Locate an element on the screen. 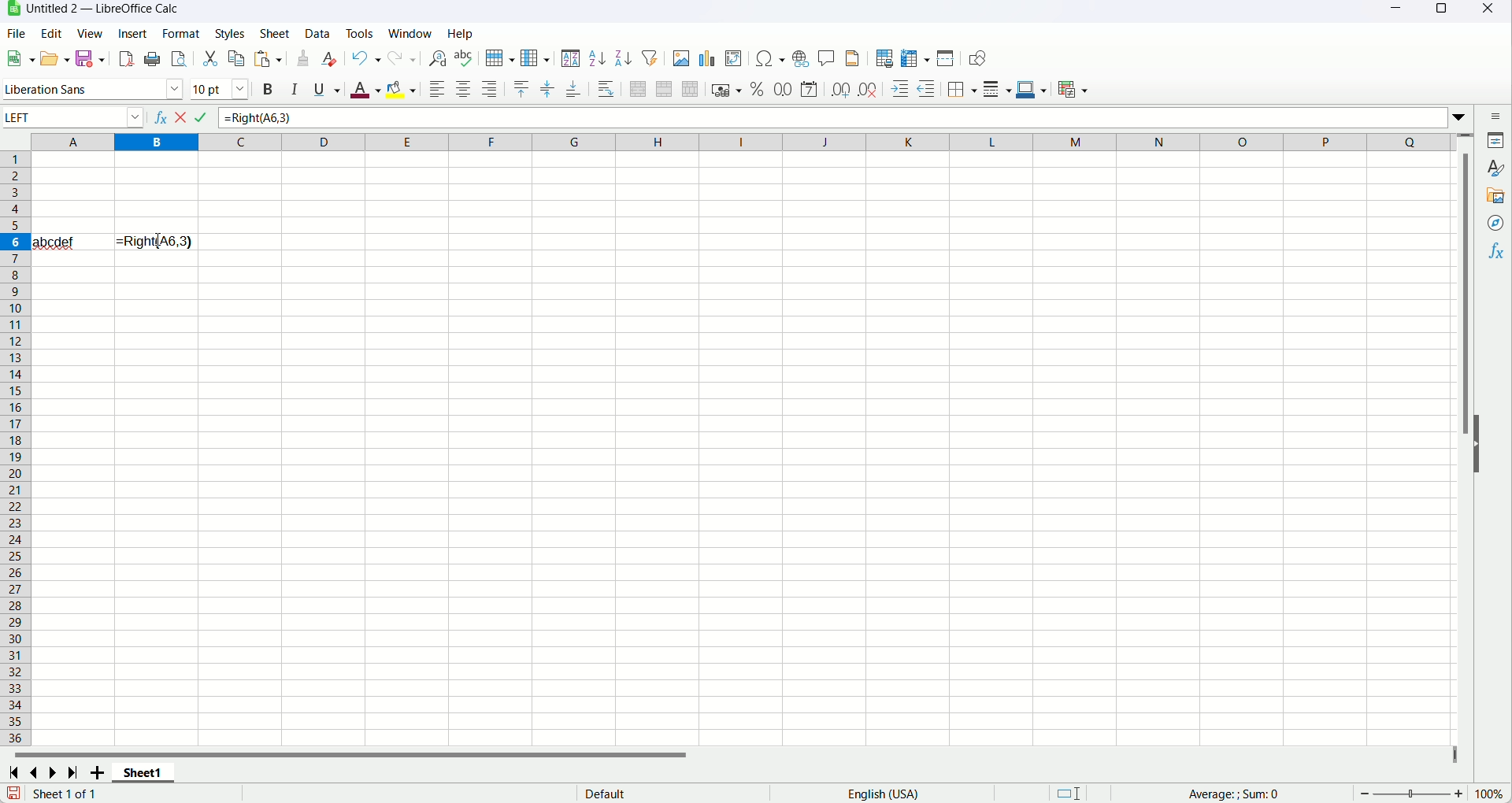 The width and height of the screenshot is (1512, 803). redo is located at coordinates (402, 59).